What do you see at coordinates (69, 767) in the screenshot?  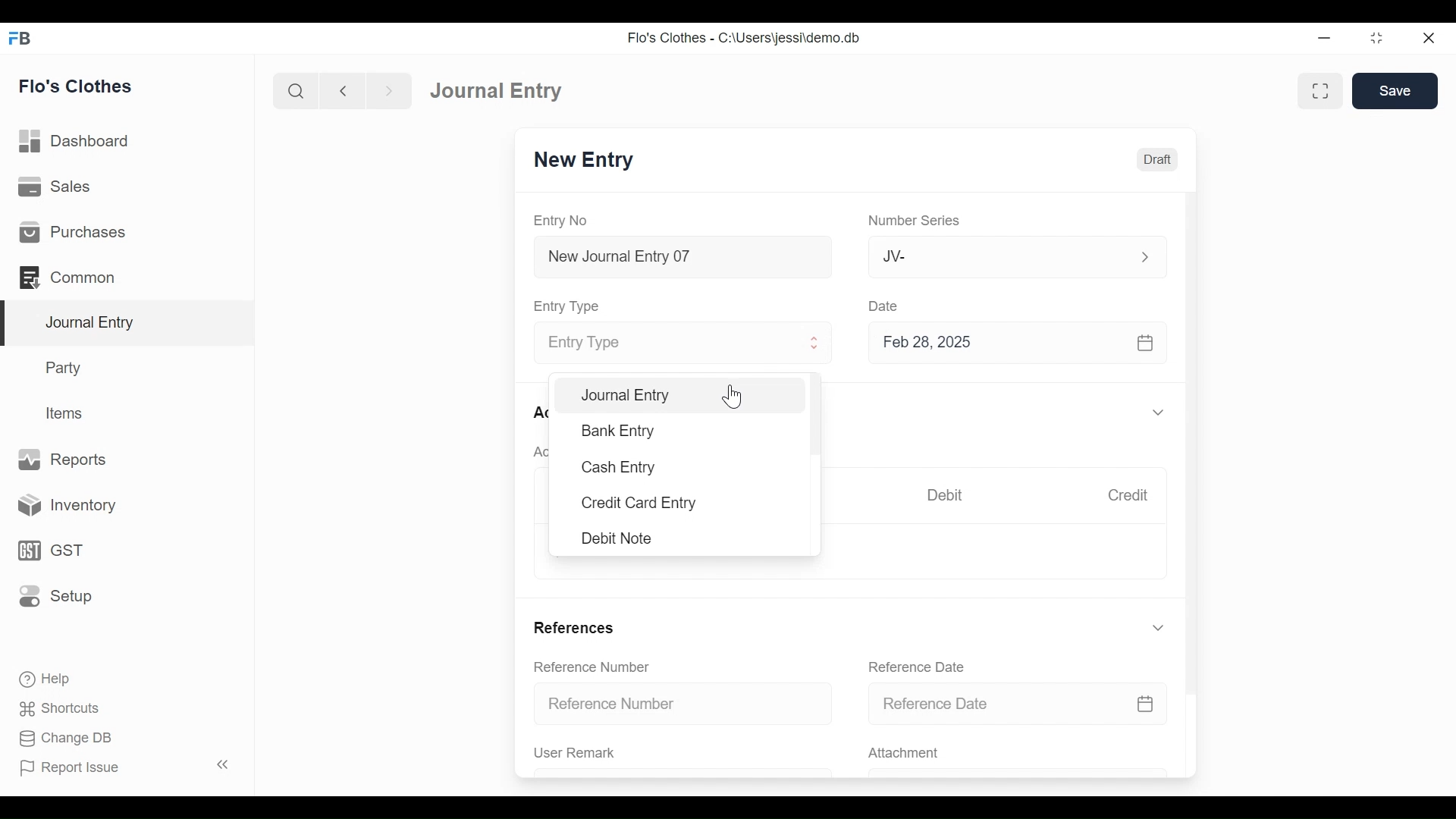 I see `Report Issue` at bounding box center [69, 767].